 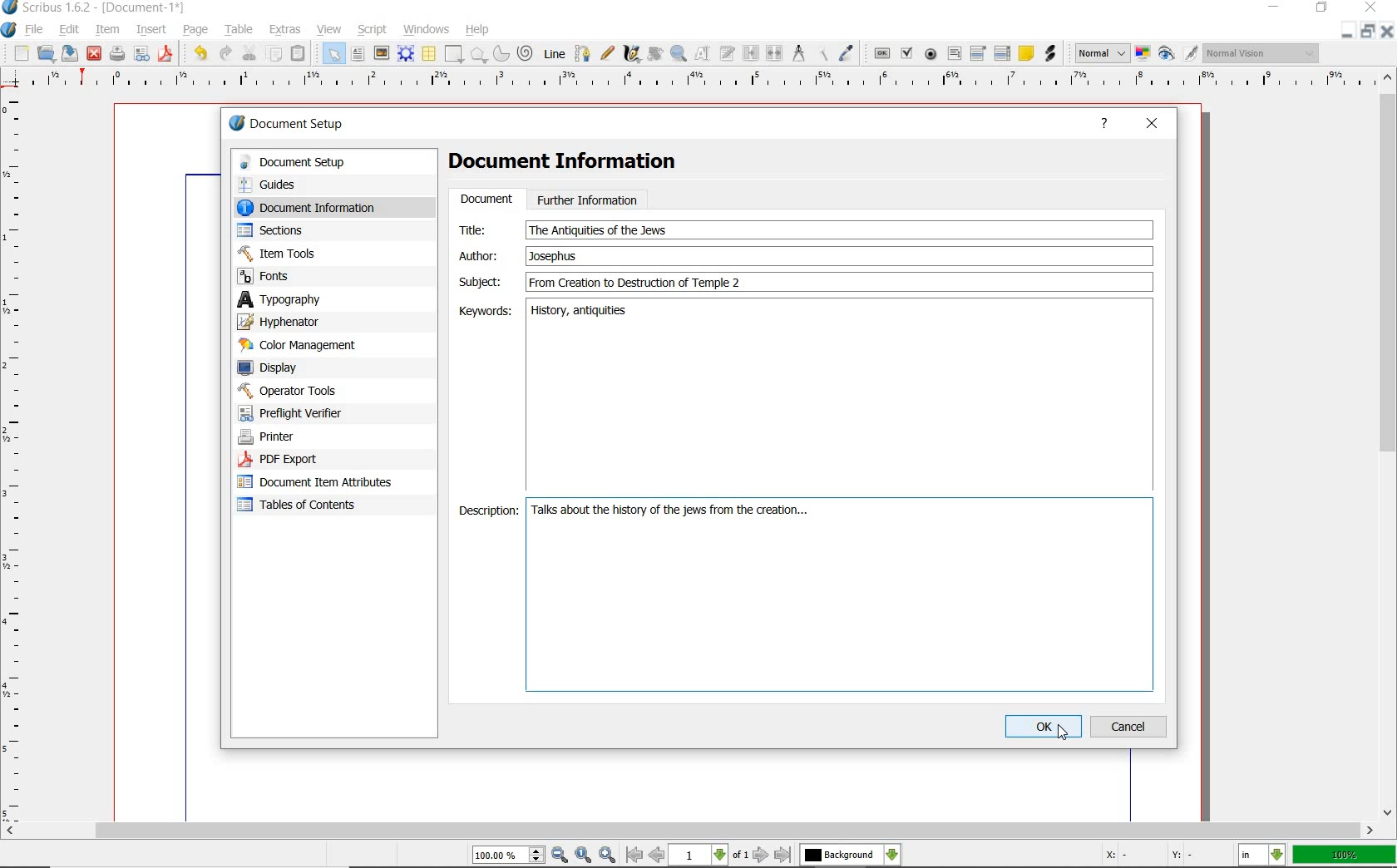 What do you see at coordinates (310, 391) in the screenshot?
I see `operator tools` at bounding box center [310, 391].